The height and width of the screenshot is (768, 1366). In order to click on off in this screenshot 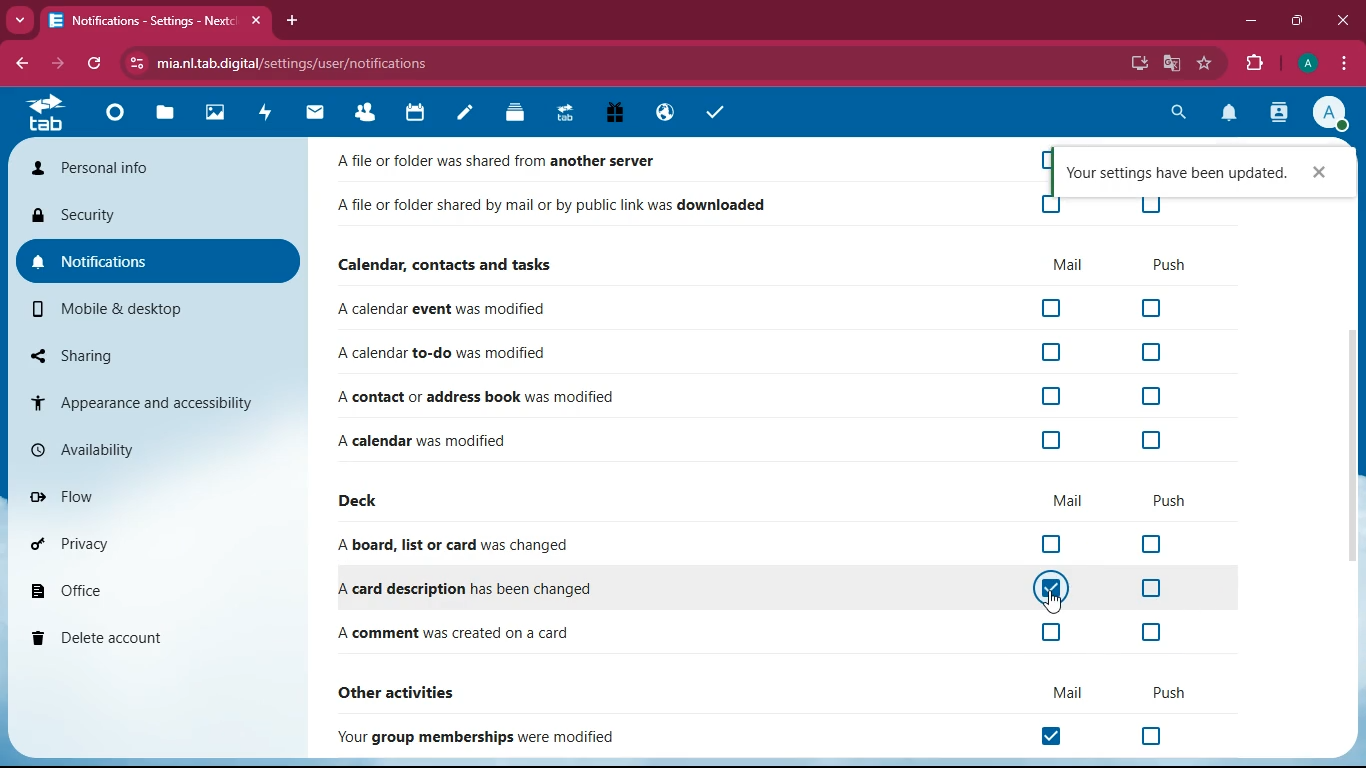, I will do `click(1147, 588)`.